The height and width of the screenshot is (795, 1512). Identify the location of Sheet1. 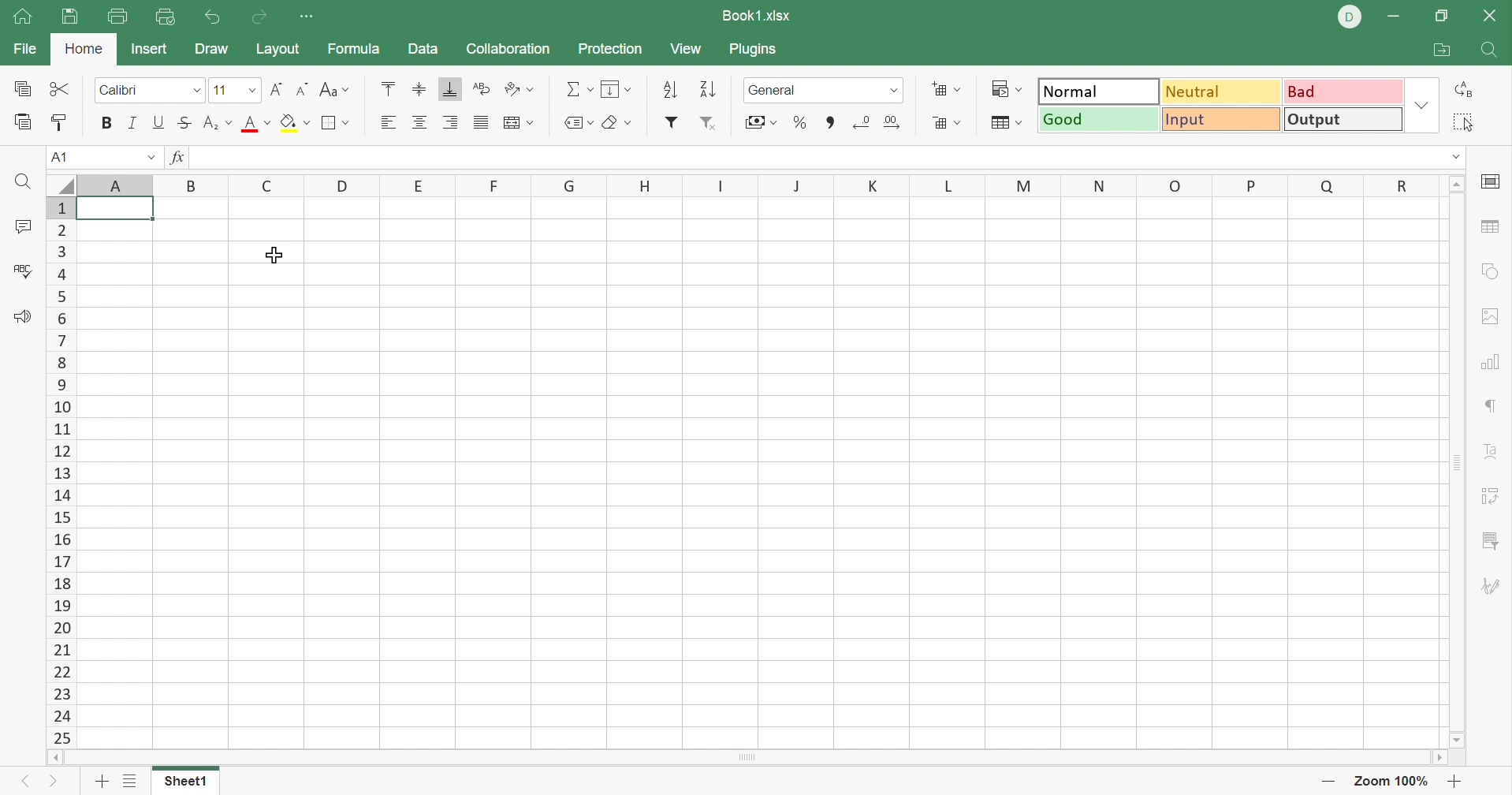
(188, 782).